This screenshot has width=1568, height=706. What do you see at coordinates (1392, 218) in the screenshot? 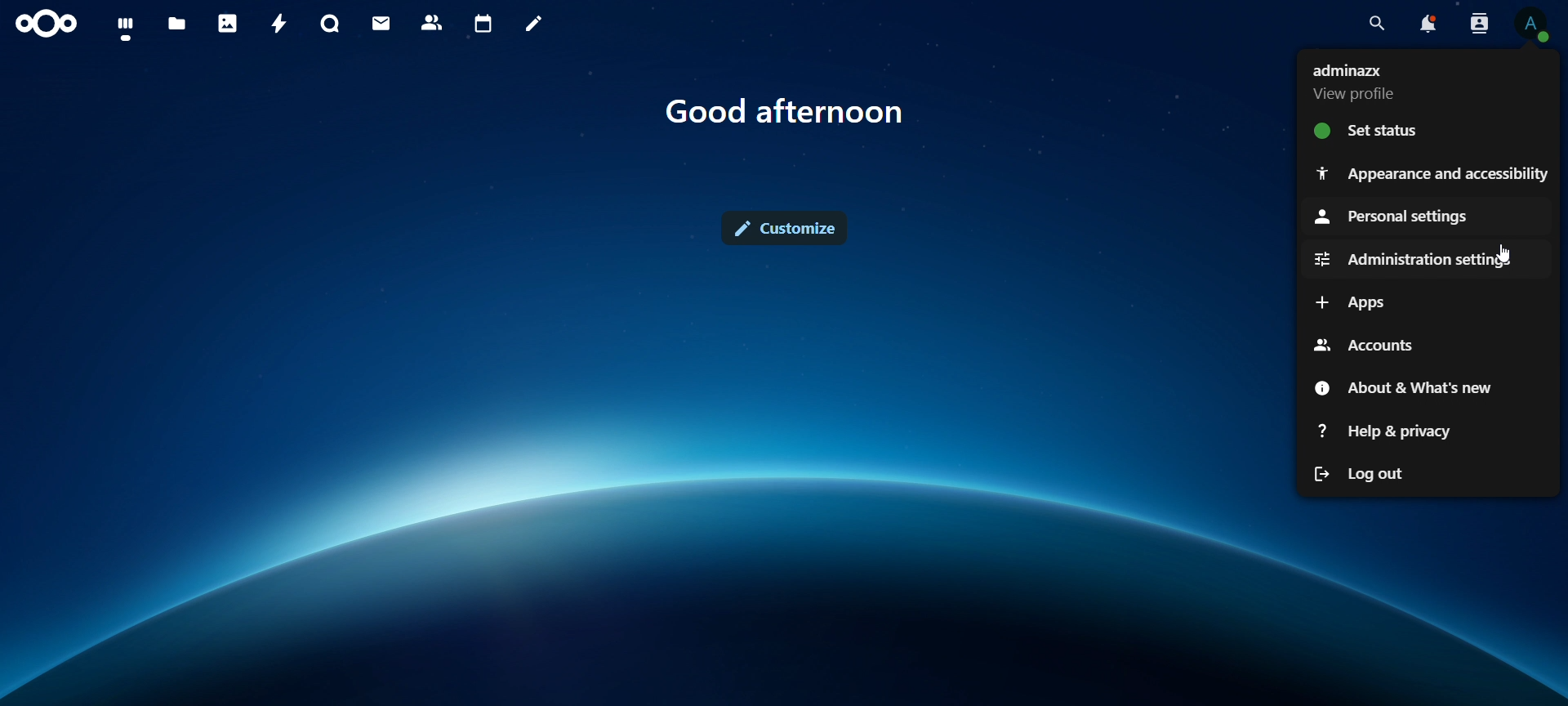
I see `personal settings` at bounding box center [1392, 218].